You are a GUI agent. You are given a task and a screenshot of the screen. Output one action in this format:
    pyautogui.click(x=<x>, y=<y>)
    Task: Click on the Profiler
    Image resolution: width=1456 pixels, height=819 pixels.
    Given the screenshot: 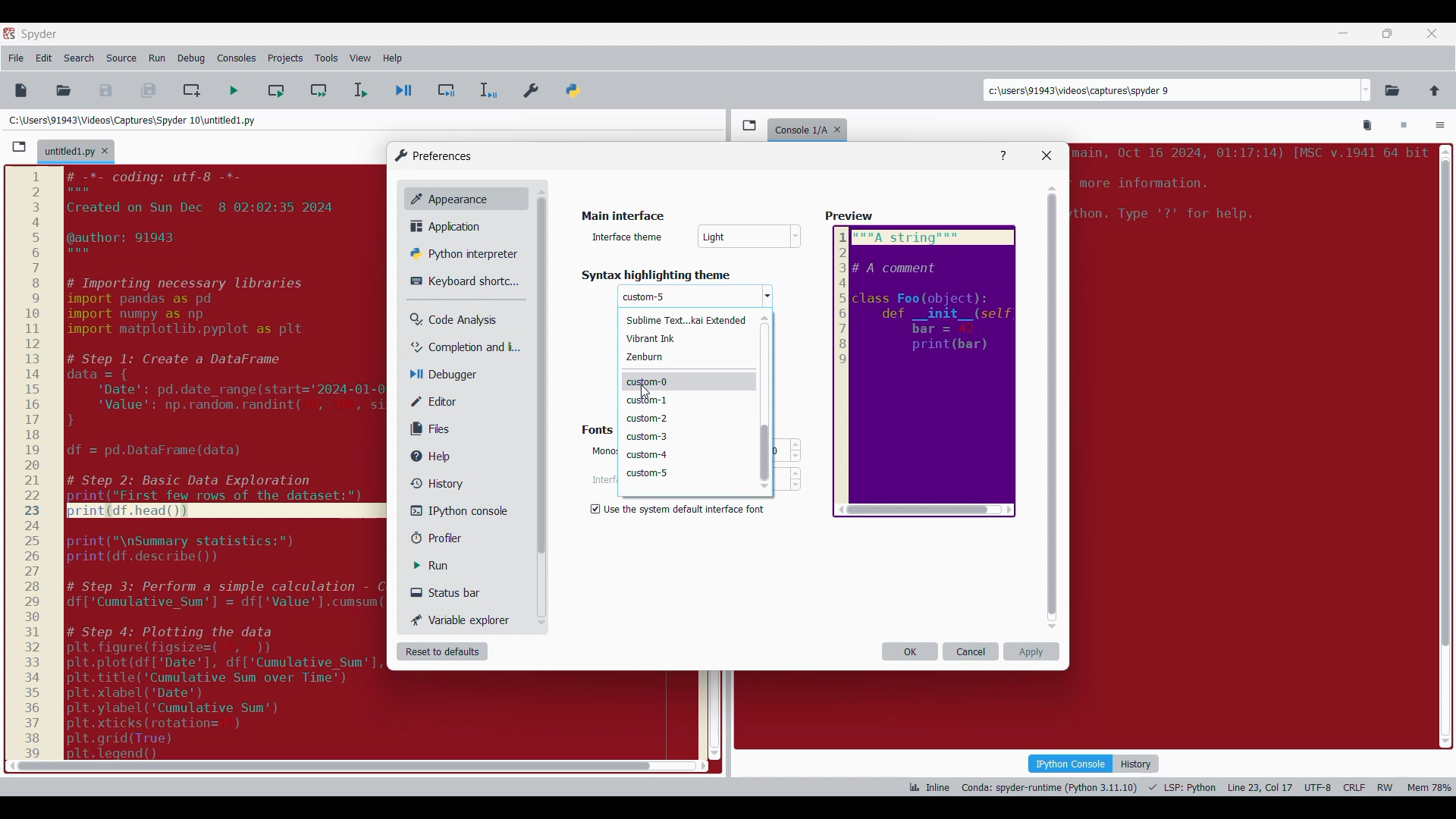 What is the action you would take?
    pyautogui.click(x=450, y=538)
    